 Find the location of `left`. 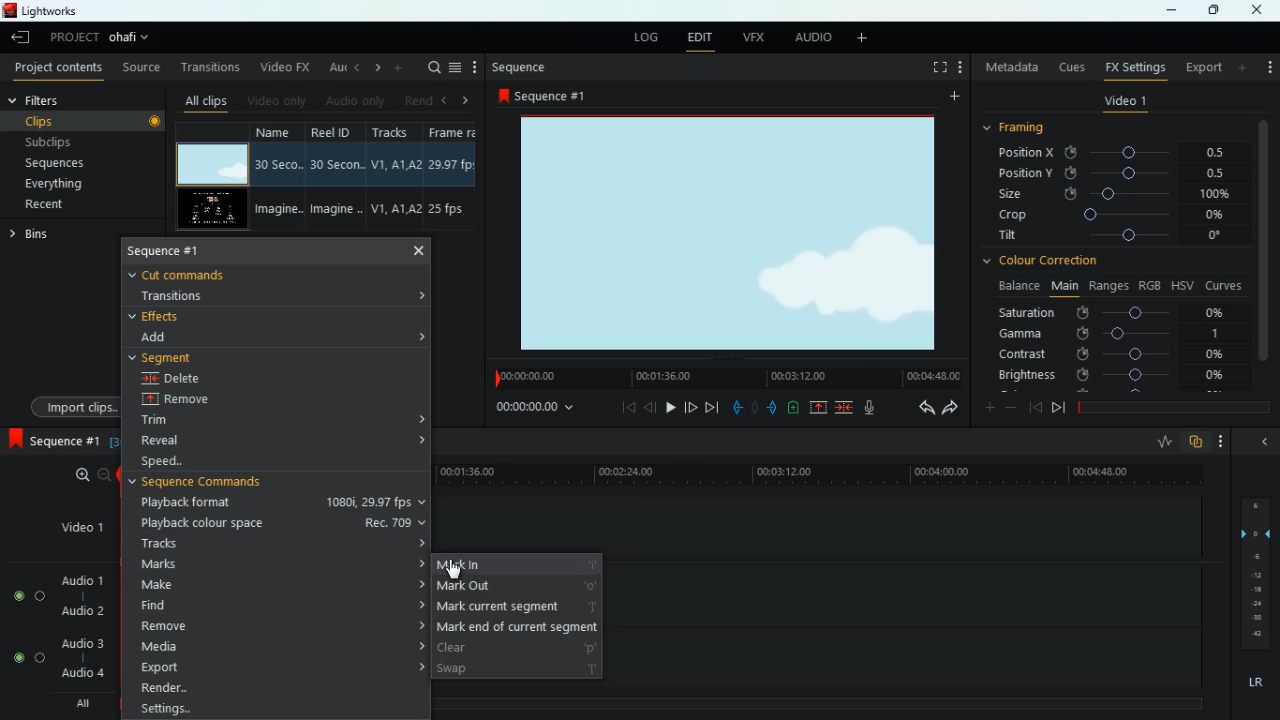

left is located at coordinates (354, 68).